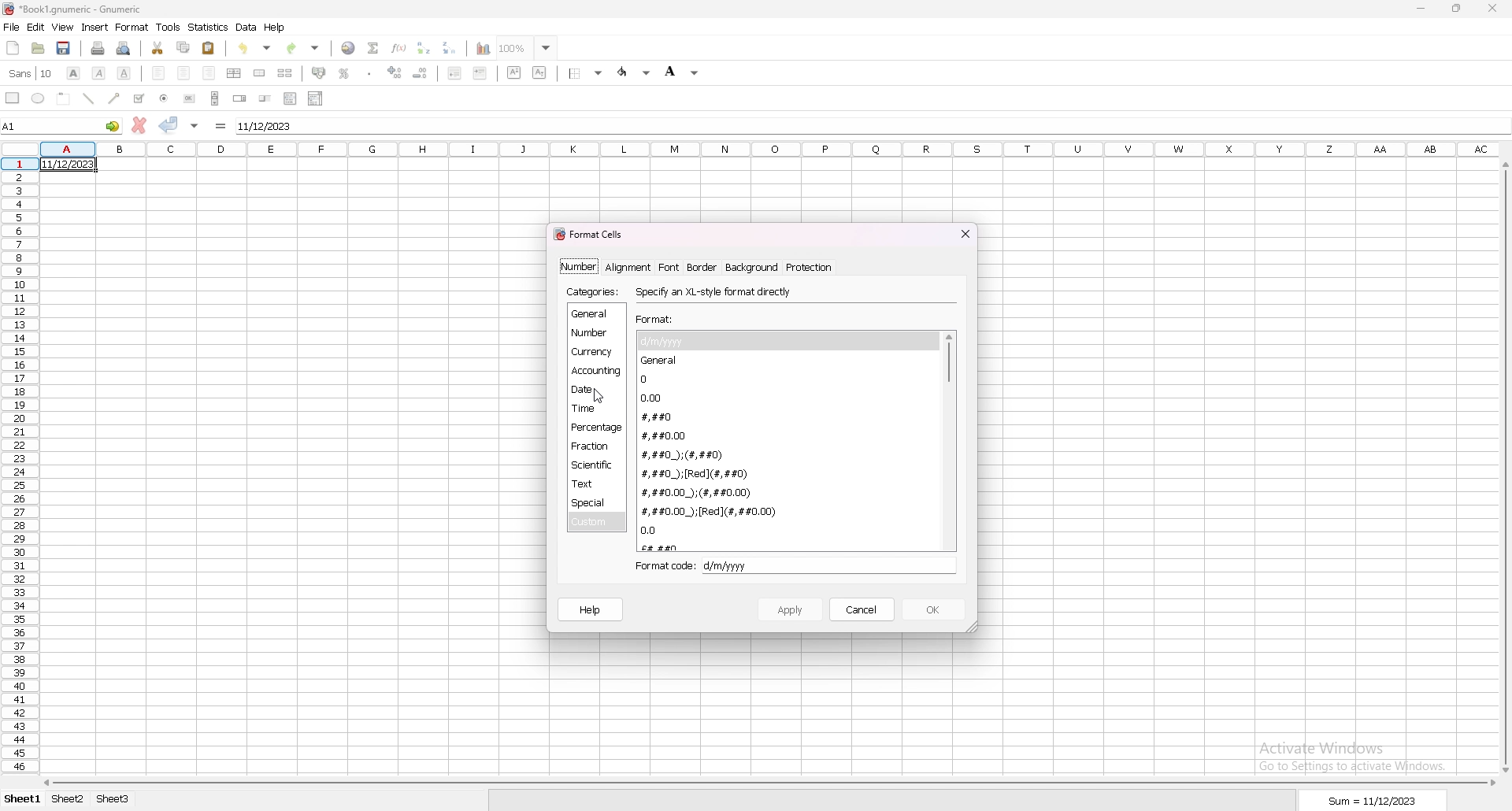  I want to click on percentage, so click(597, 428).